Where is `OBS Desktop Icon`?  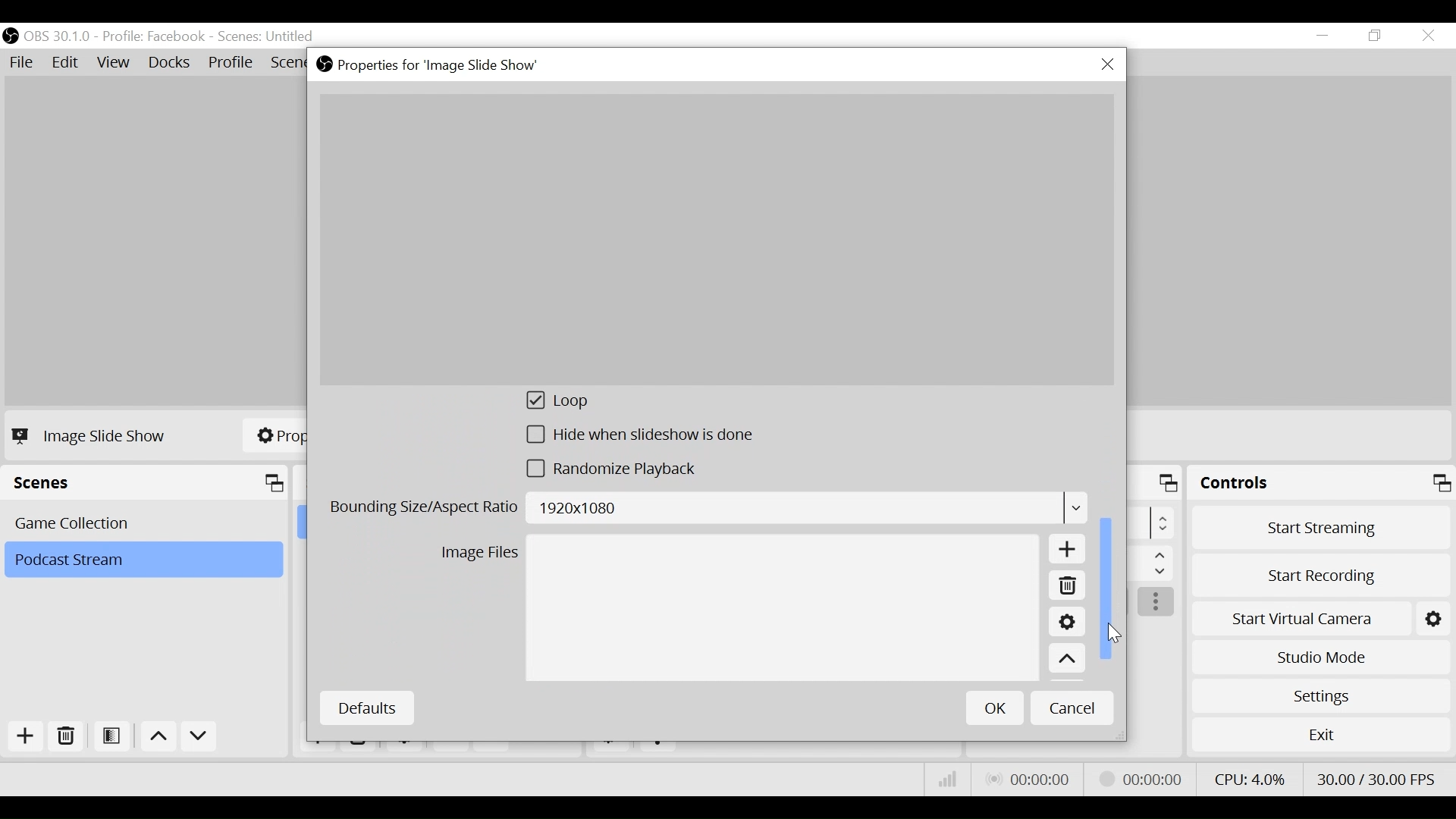 OBS Desktop Icon is located at coordinates (11, 36).